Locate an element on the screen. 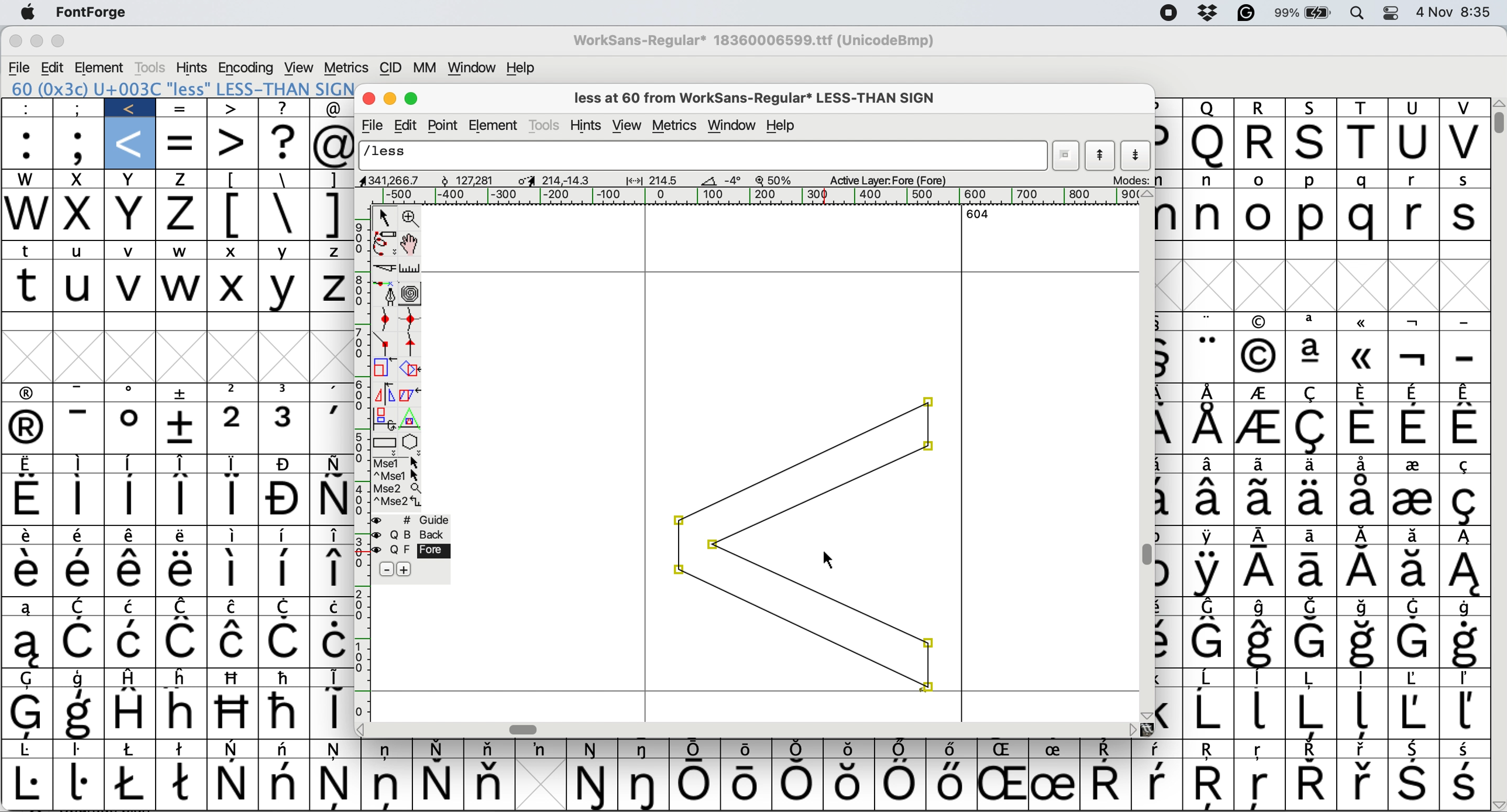  Symbol is located at coordinates (133, 607).